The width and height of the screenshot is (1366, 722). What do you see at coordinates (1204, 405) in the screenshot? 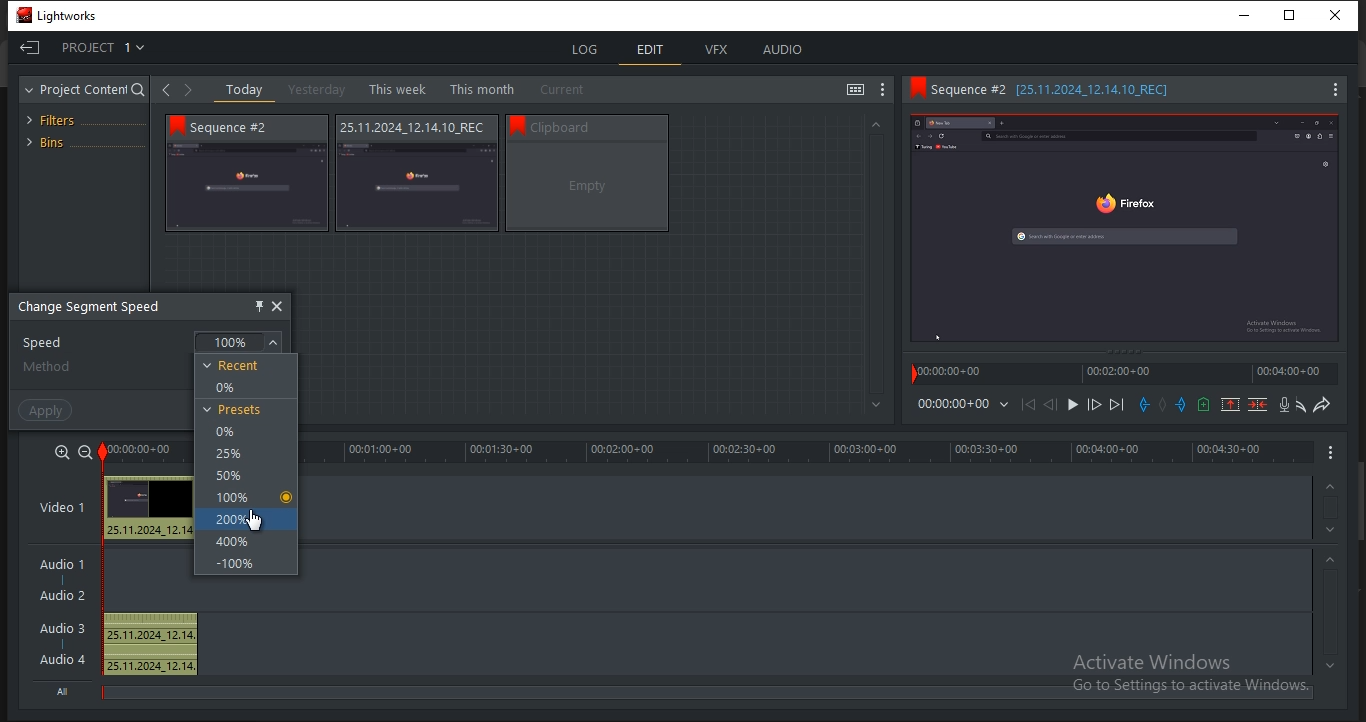
I see `add a cue` at bounding box center [1204, 405].